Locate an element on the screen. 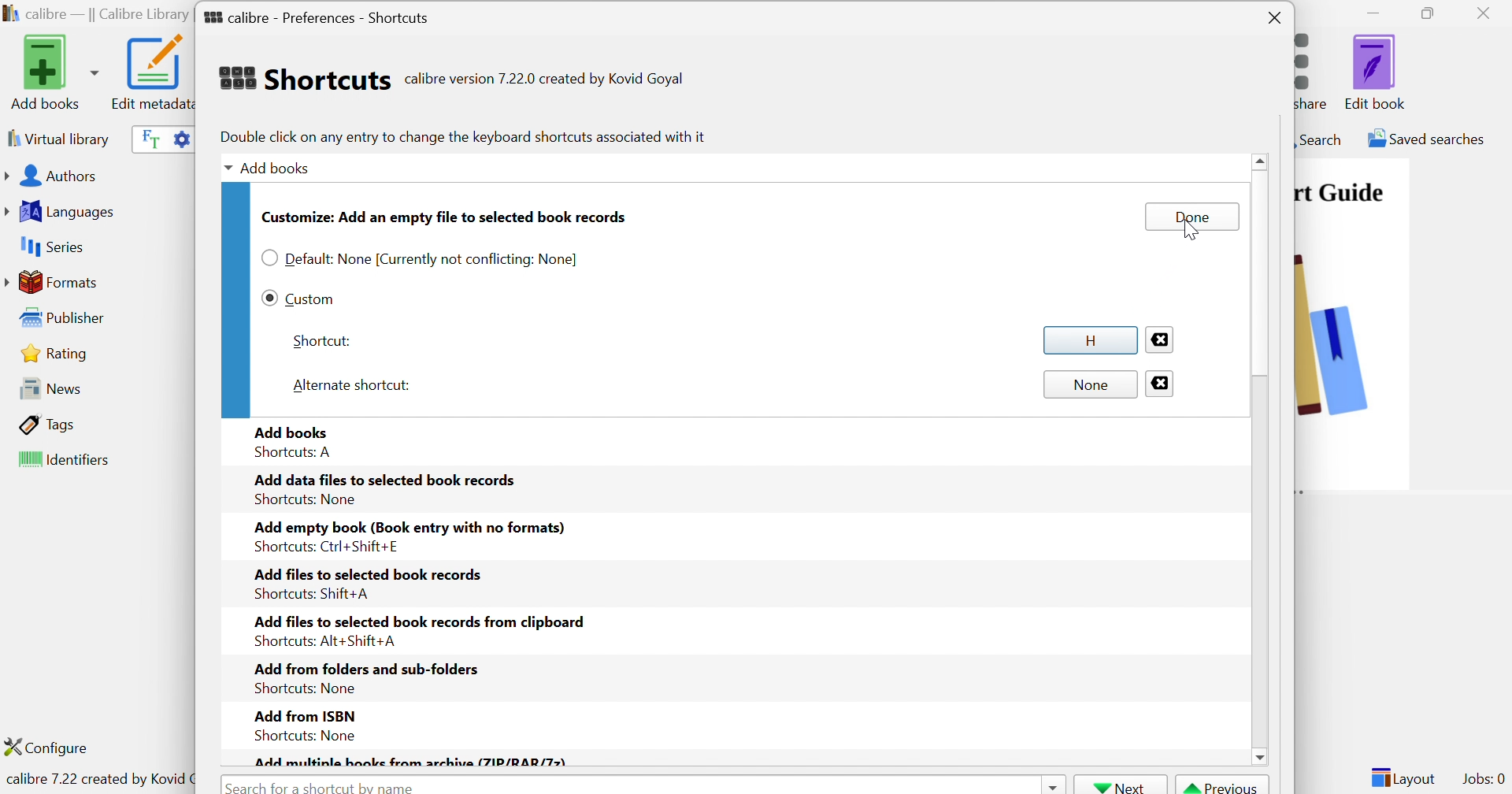 The height and width of the screenshot is (794, 1512). Shortcut is located at coordinates (321, 341).